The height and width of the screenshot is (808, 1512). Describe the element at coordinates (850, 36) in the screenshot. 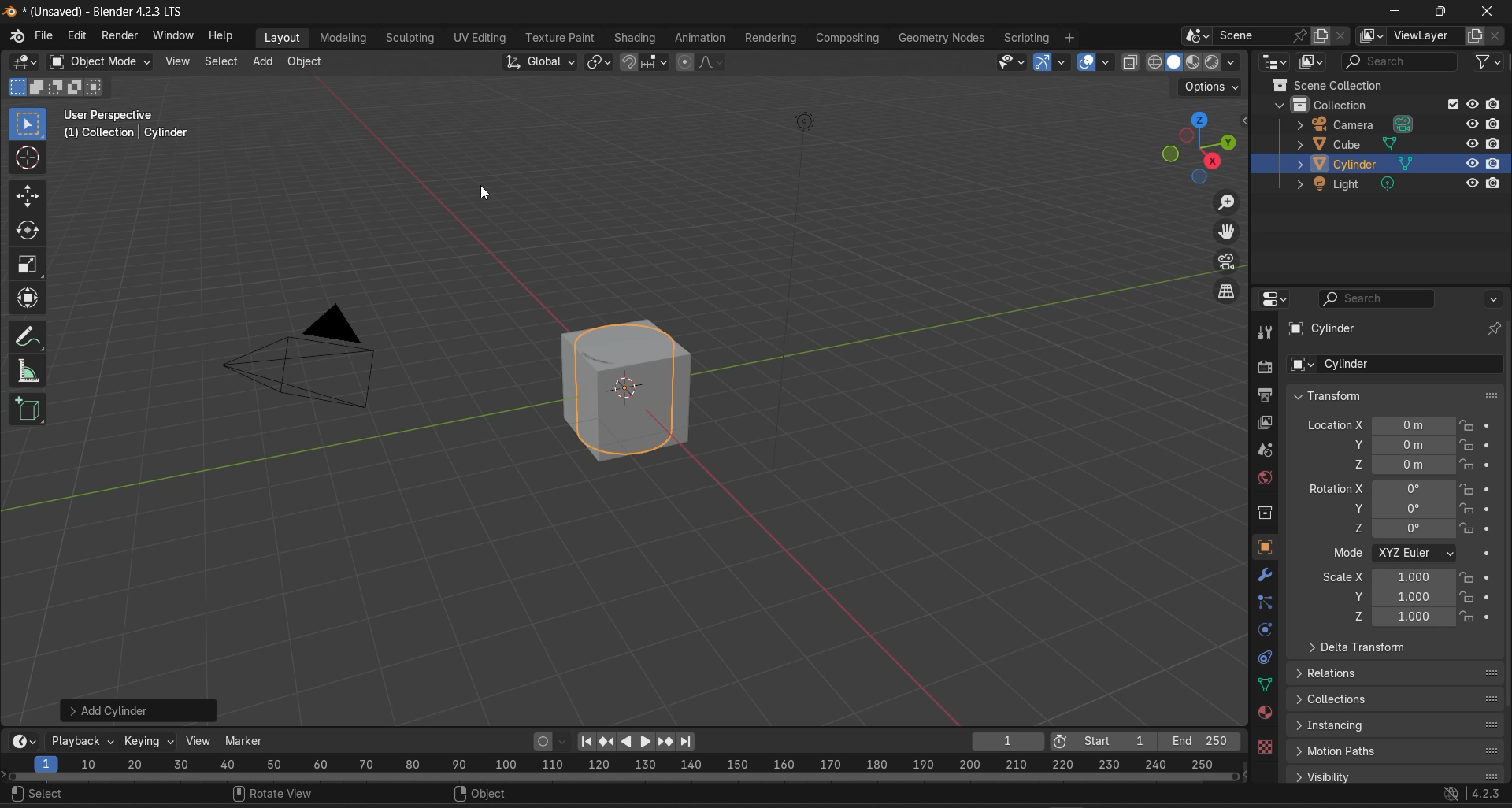

I see `composting` at that location.